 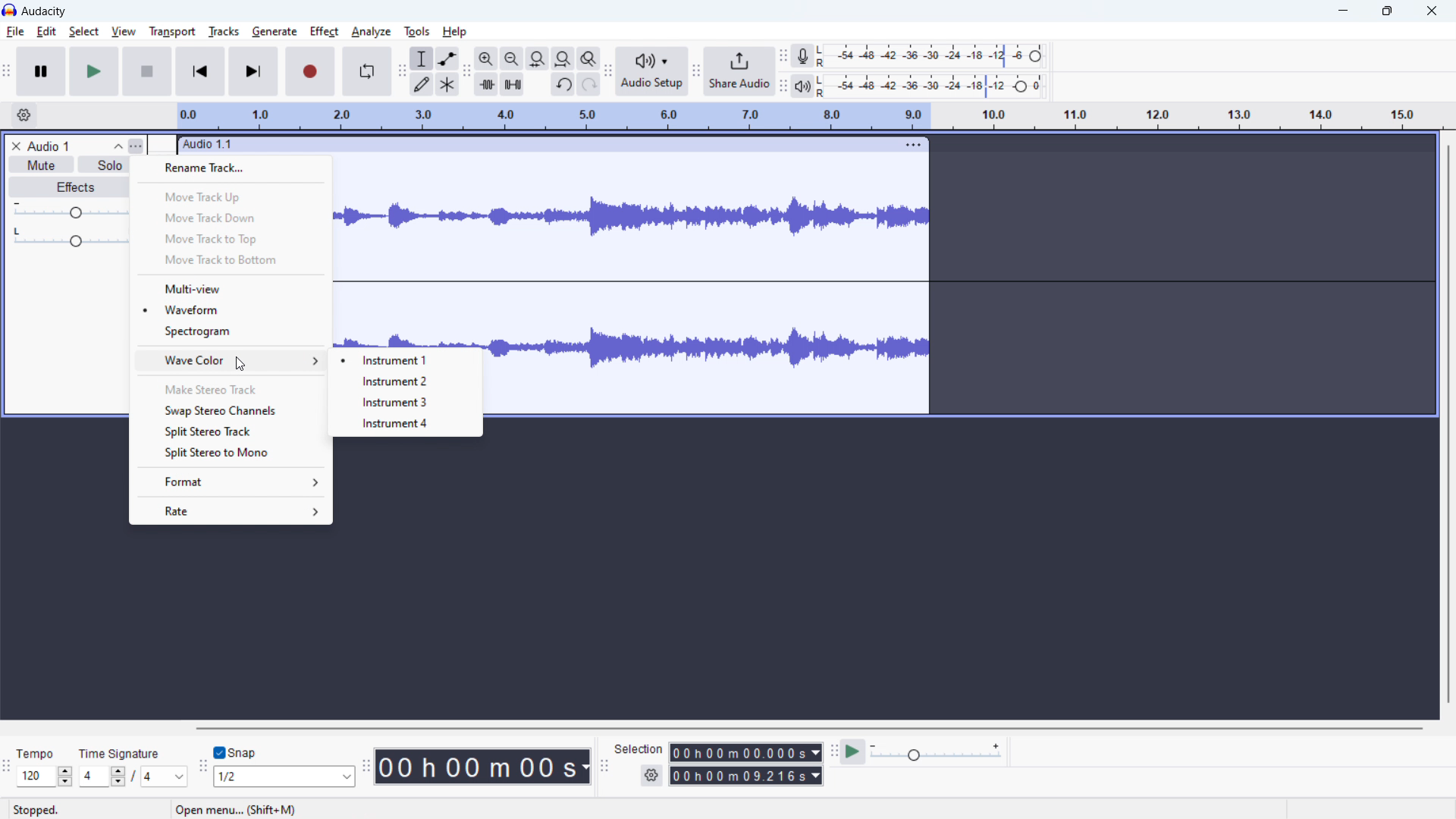 I want to click on minimize, so click(x=1335, y=11).